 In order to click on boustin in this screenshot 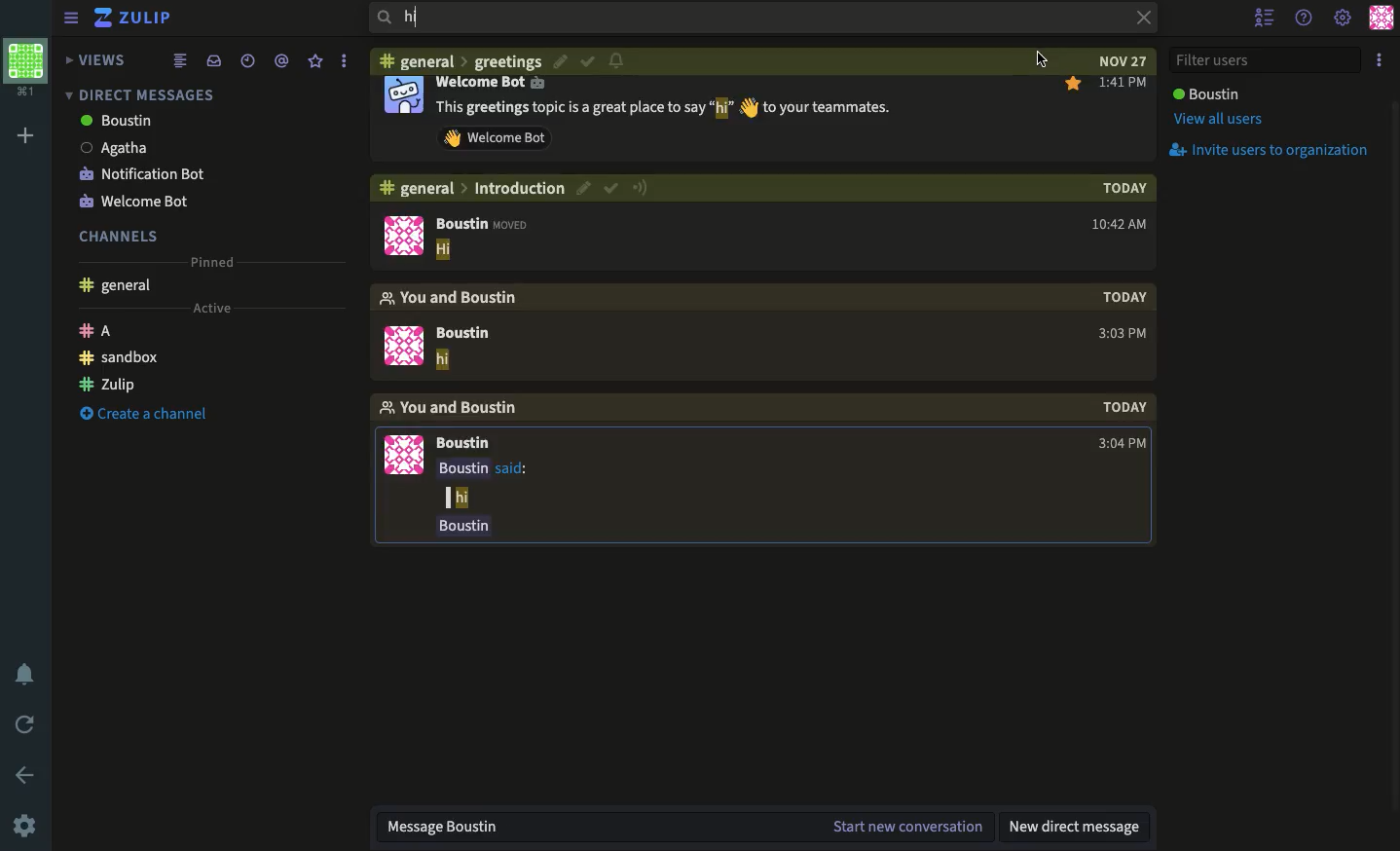, I will do `click(119, 121)`.